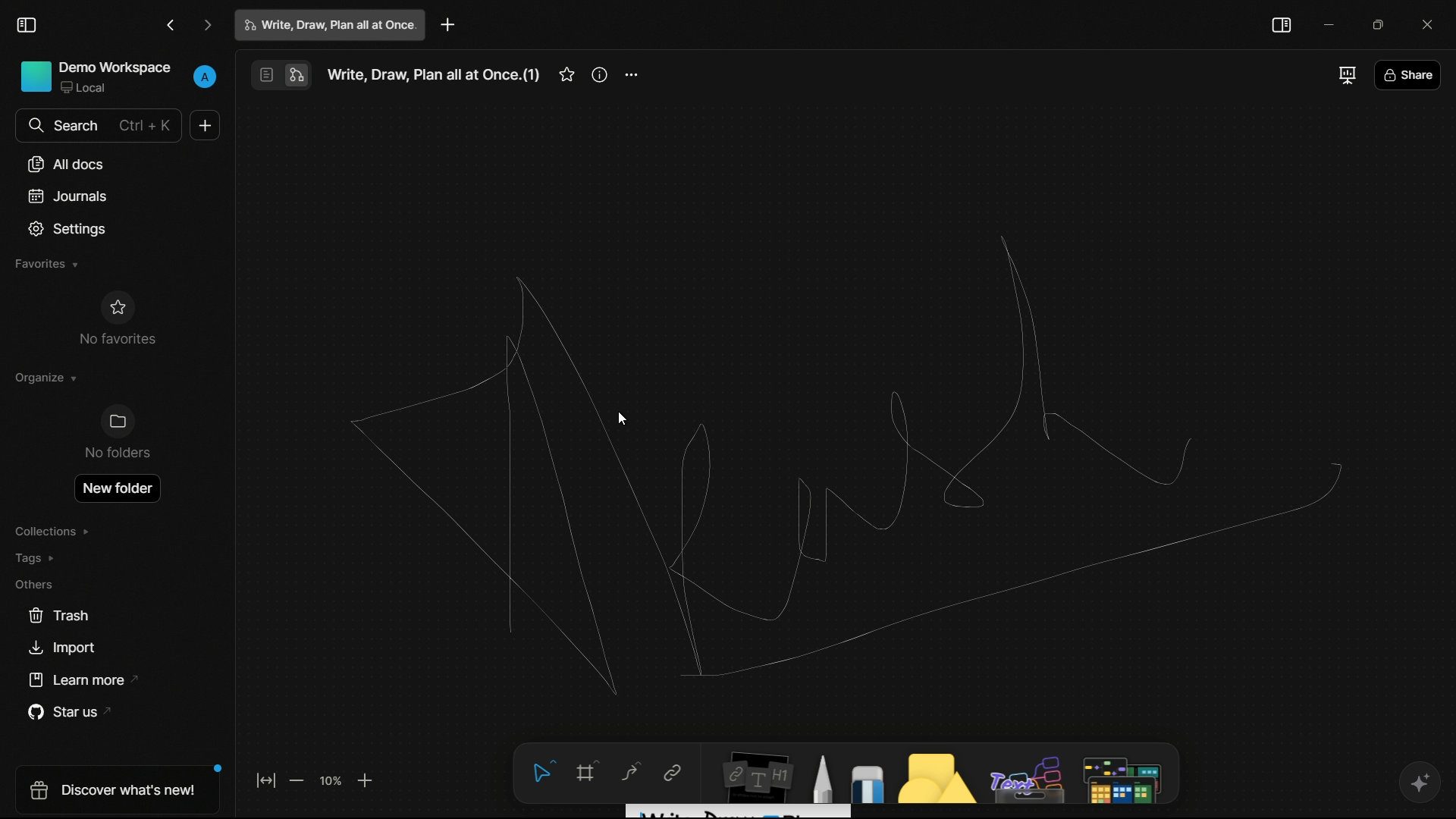 The image size is (1456, 819). What do you see at coordinates (1028, 775) in the screenshot?
I see `others` at bounding box center [1028, 775].